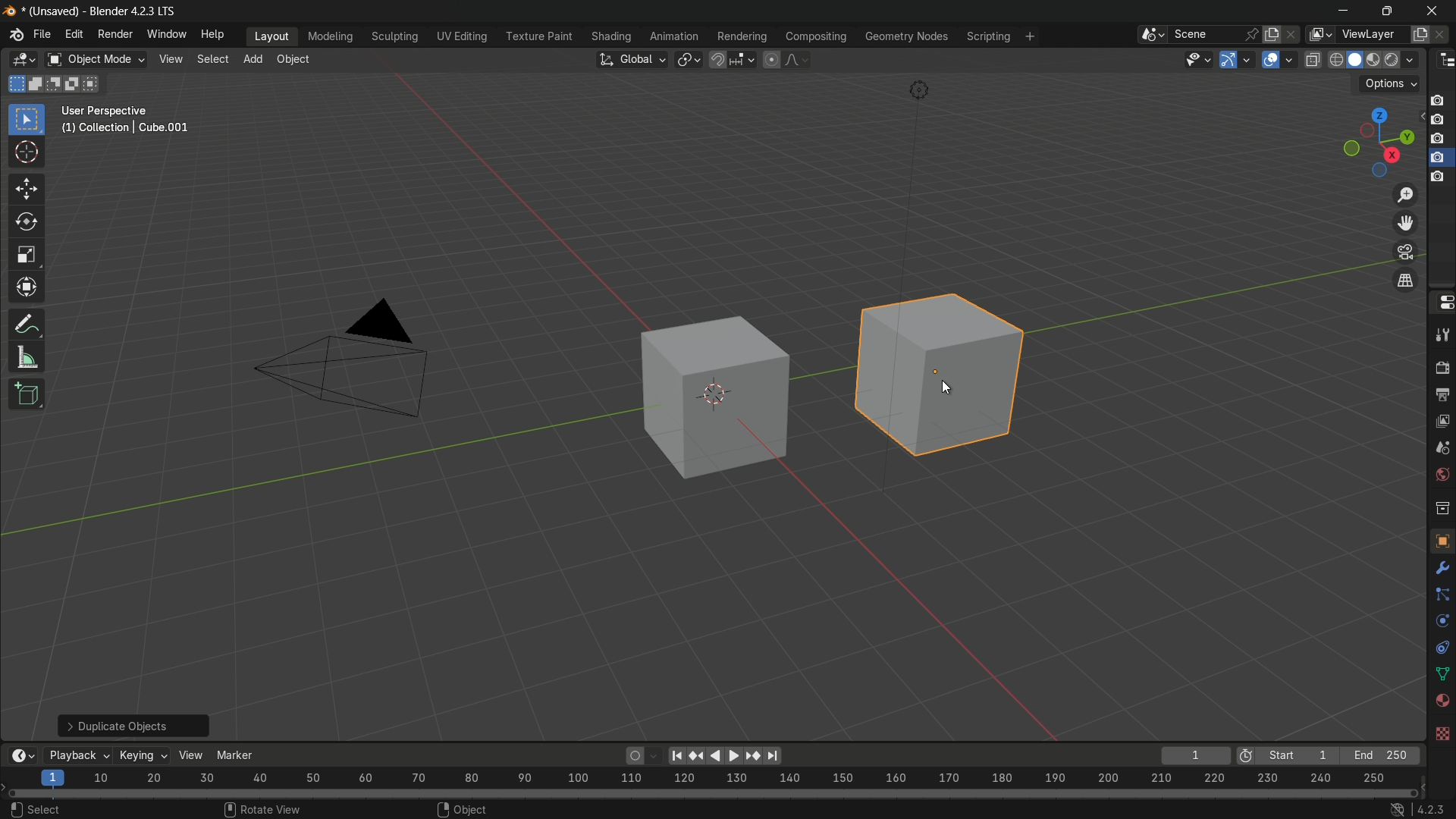 The height and width of the screenshot is (819, 1456). What do you see at coordinates (130, 121) in the screenshot?
I see `User Perspective` at bounding box center [130, 121].